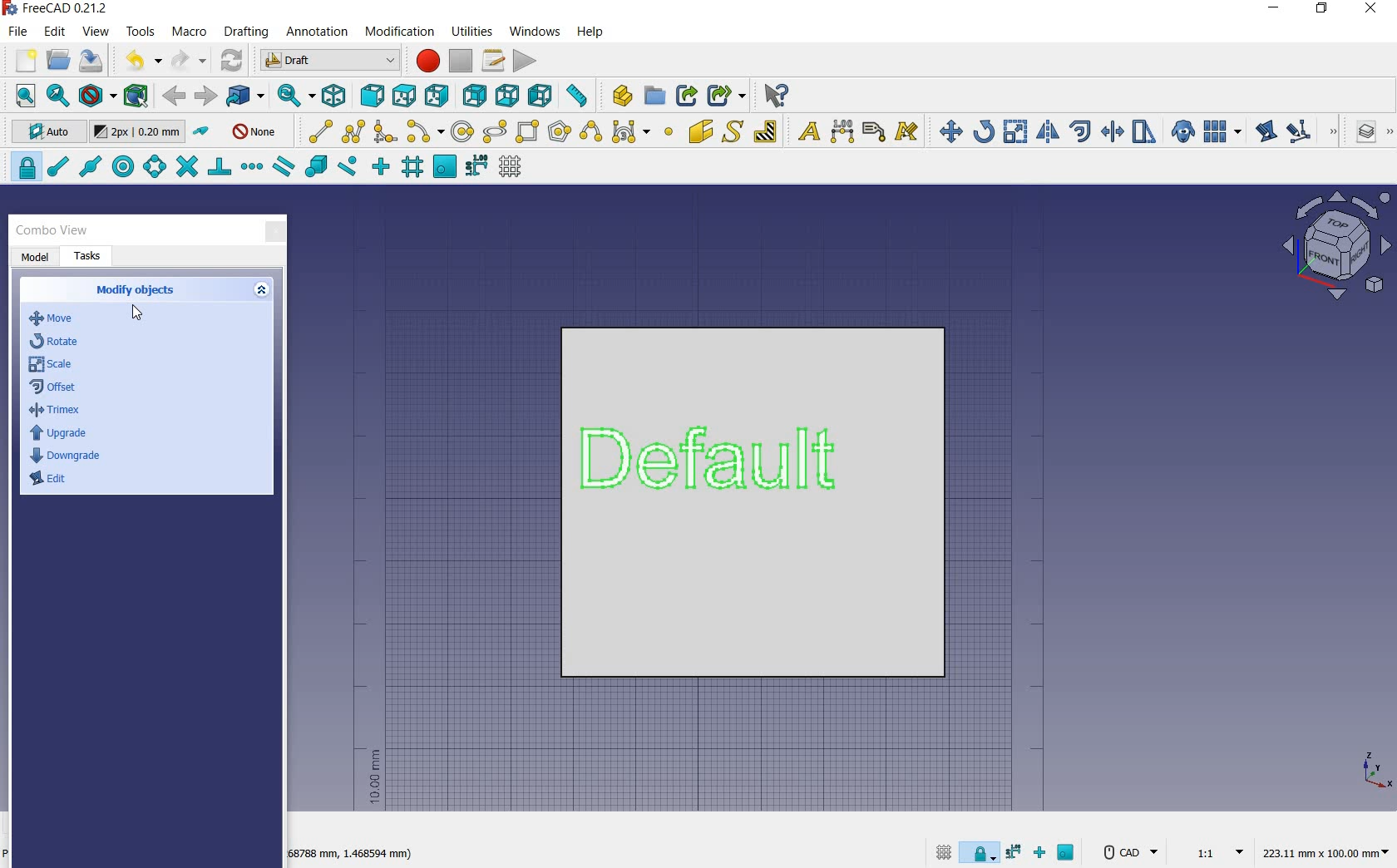 Image resolution: width=1397 pixels, height=868 pixels. What do you see at coordinates (1015, 133) in the screenshot?
I see `scale` at bounding box center [1015, 133].